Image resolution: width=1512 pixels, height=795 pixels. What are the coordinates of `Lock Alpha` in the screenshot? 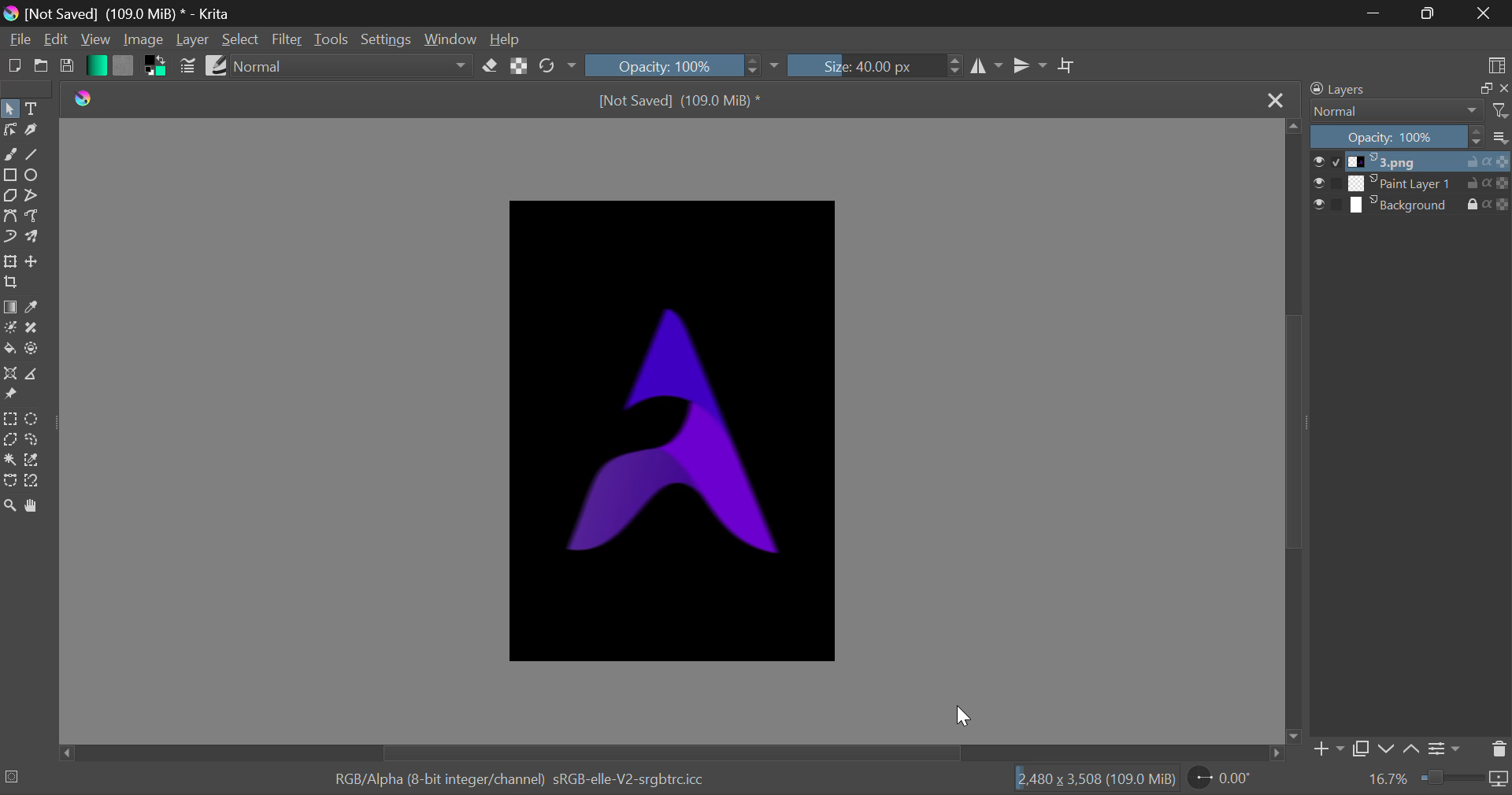 It's located at (520, 65).